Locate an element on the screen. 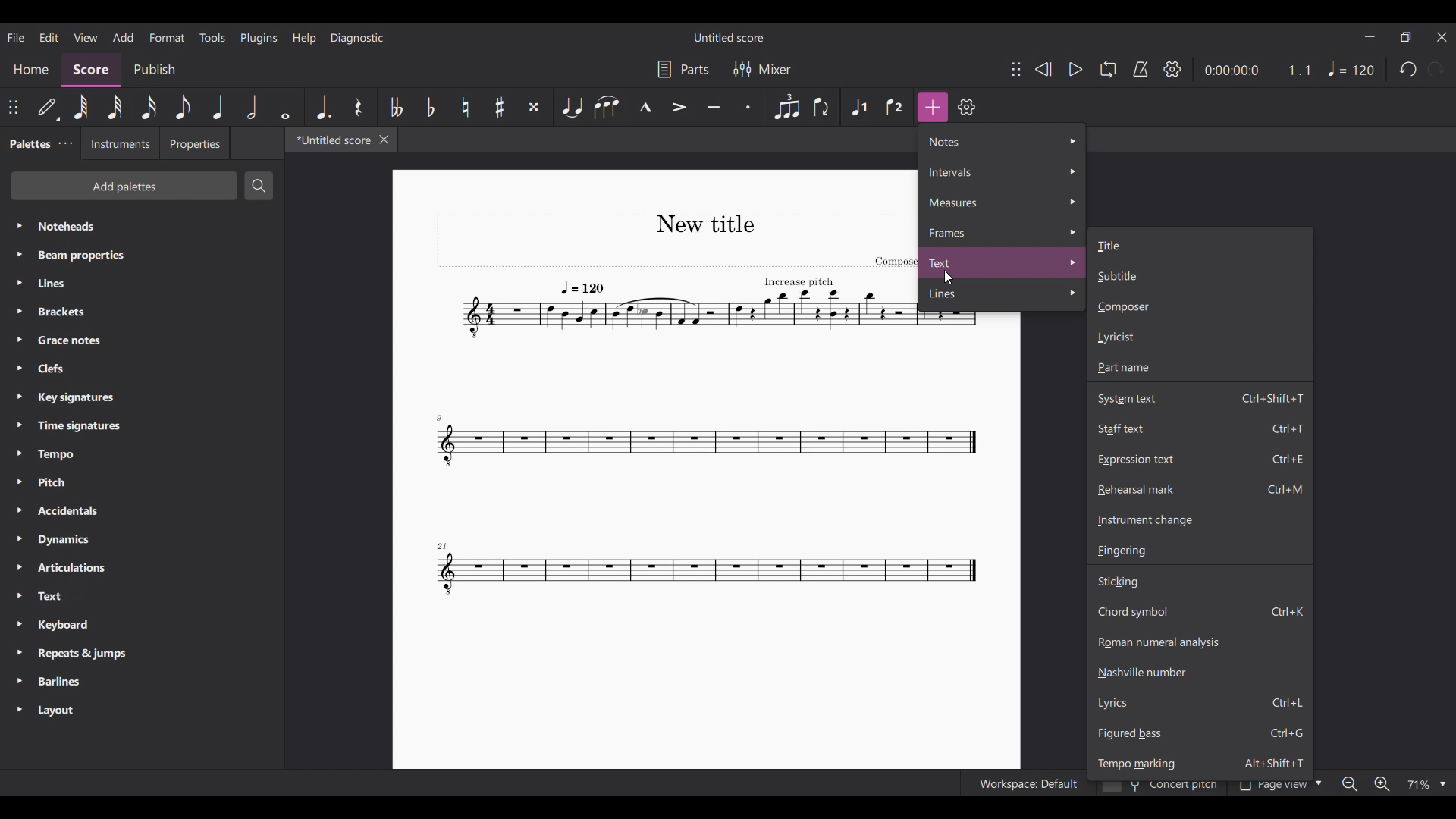  Note options is located at coordinates (1003, 141).